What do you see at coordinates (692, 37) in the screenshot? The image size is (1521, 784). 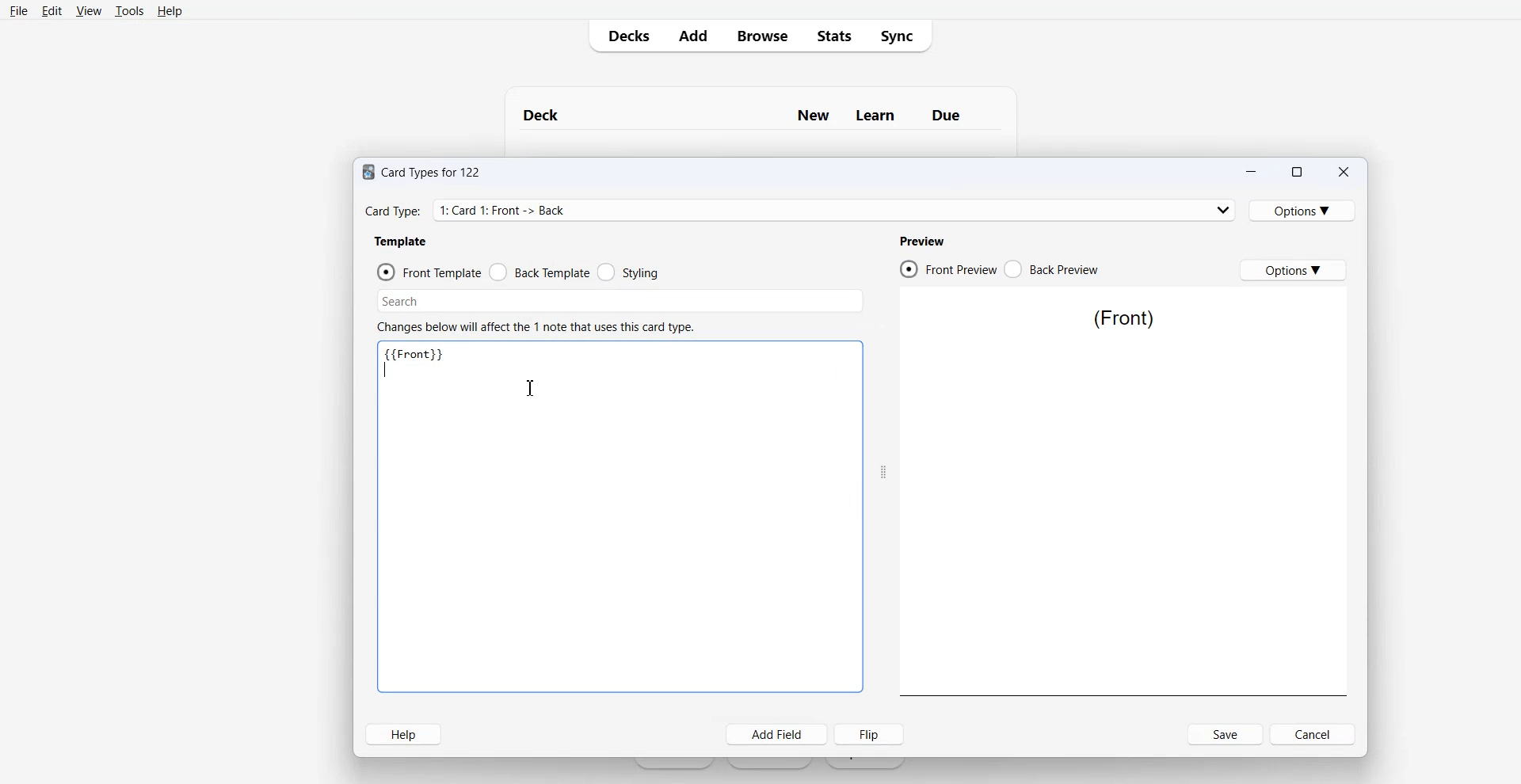 I see `Add` at bounding box center [692, 37].